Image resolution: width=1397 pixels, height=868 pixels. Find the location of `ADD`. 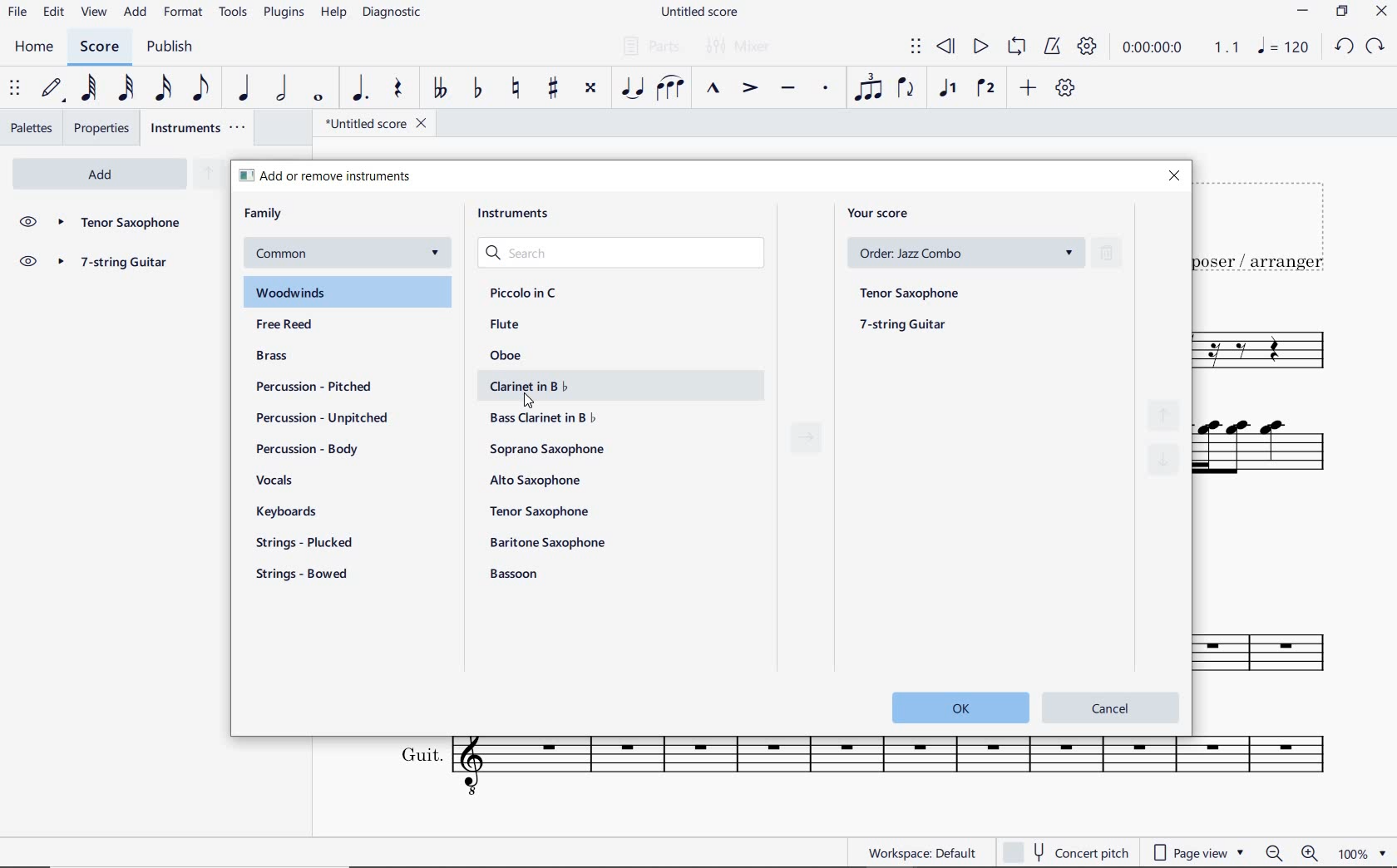

ADD is located at coordinates (1029, 89).